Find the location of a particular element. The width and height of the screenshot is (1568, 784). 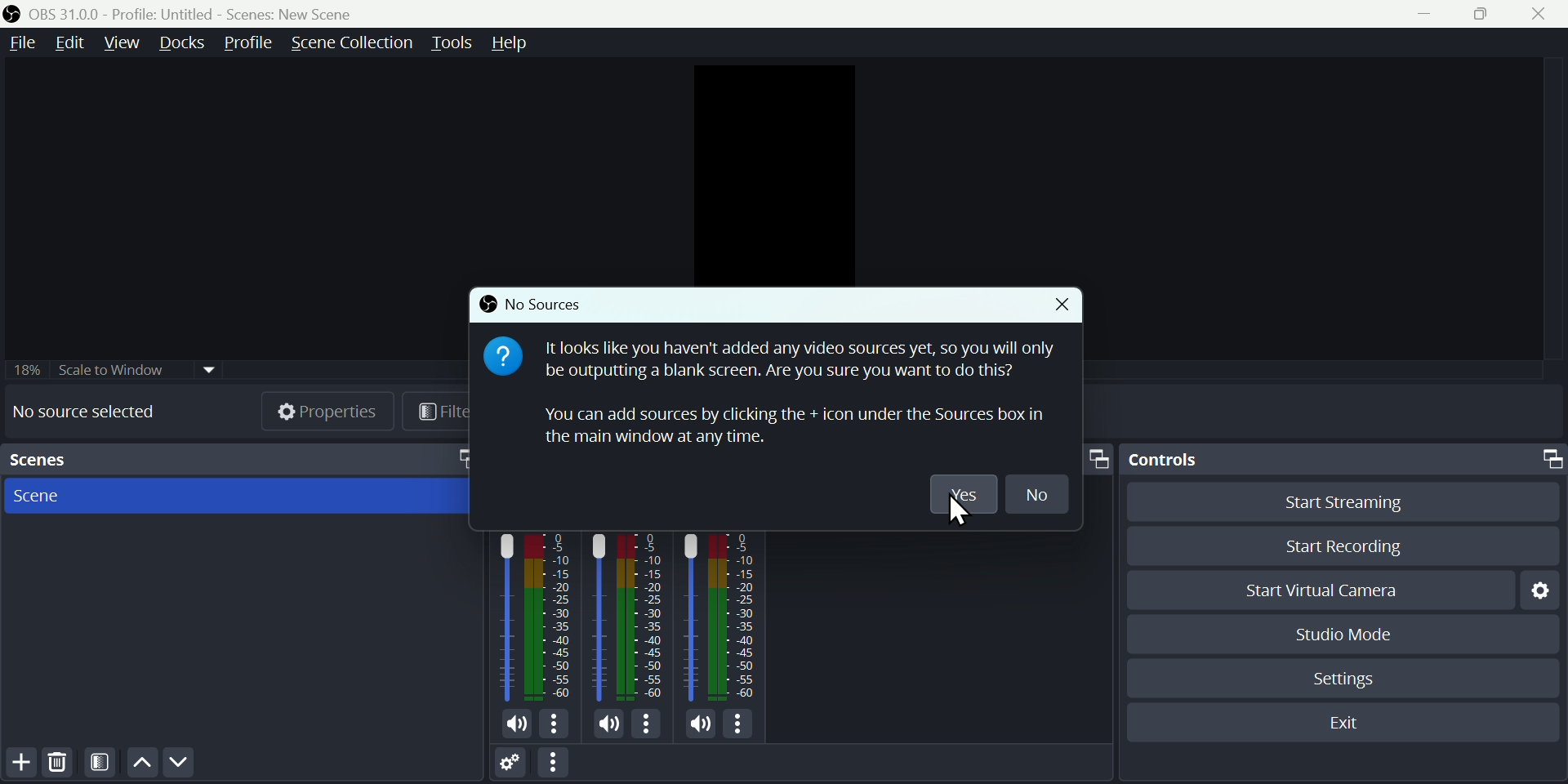

Add is located at coordinates (18, 764).